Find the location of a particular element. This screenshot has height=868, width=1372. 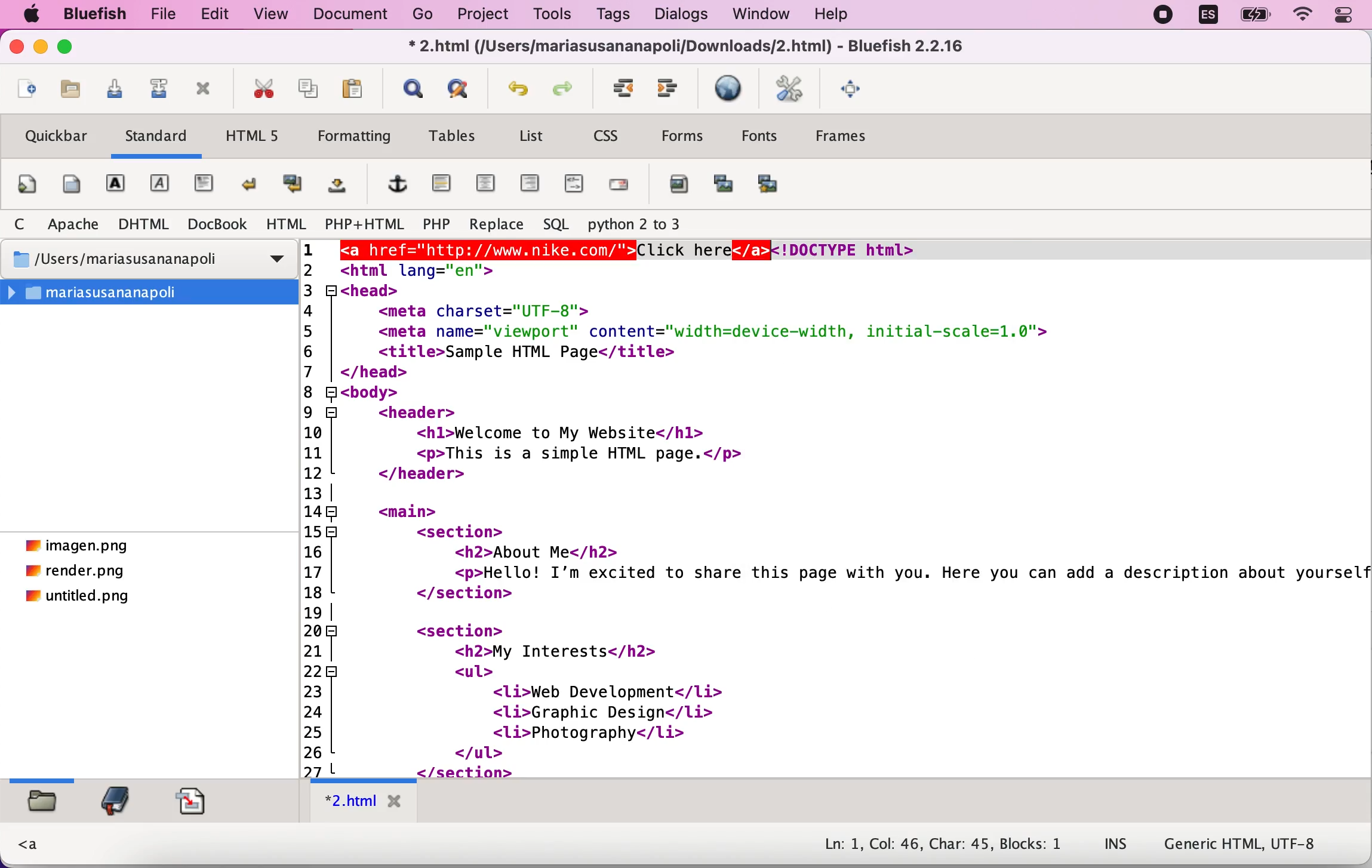

bookmark is located at coordinates (115, 802).